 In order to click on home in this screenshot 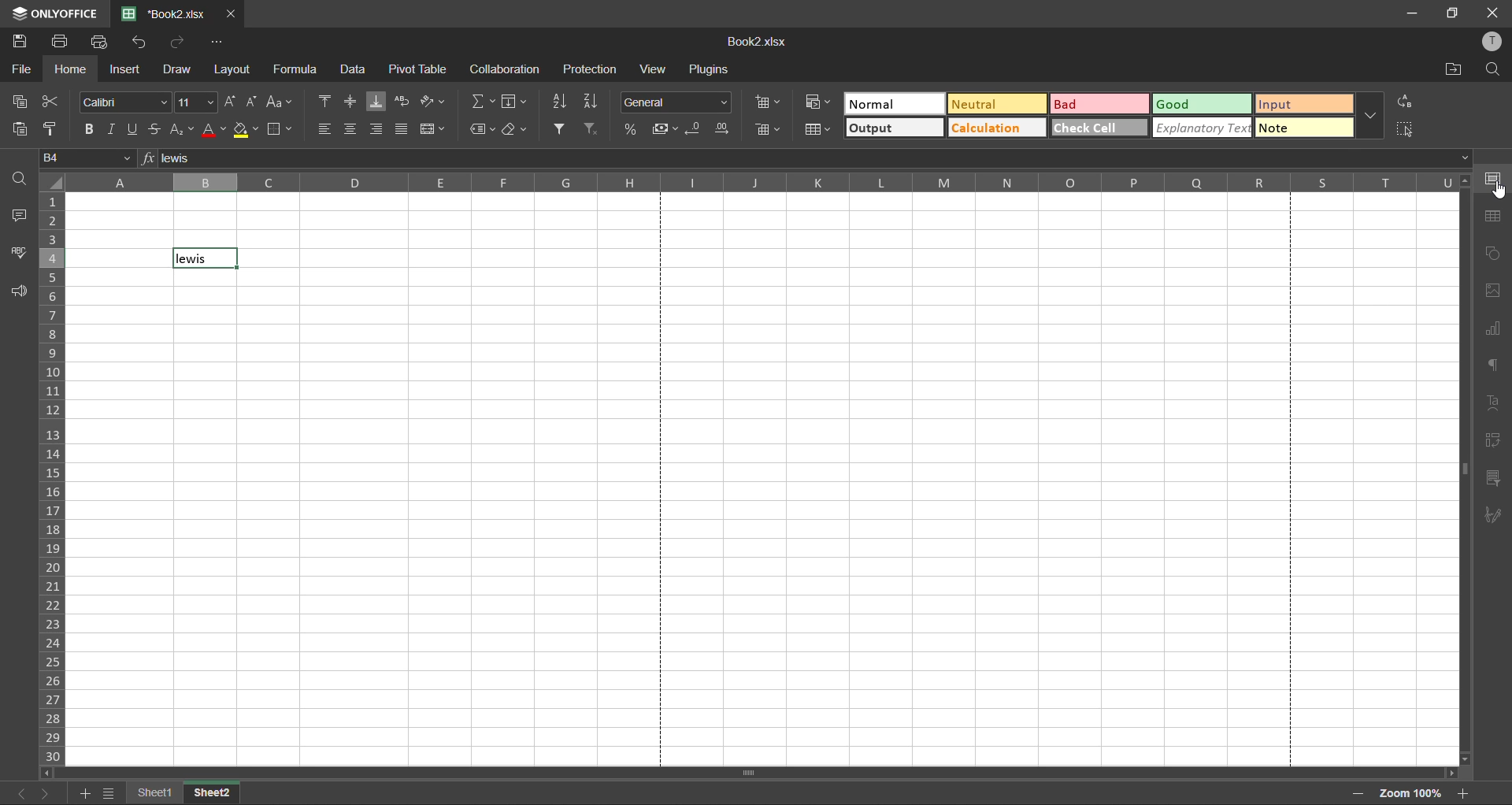, I will do `click(70, 70)`.